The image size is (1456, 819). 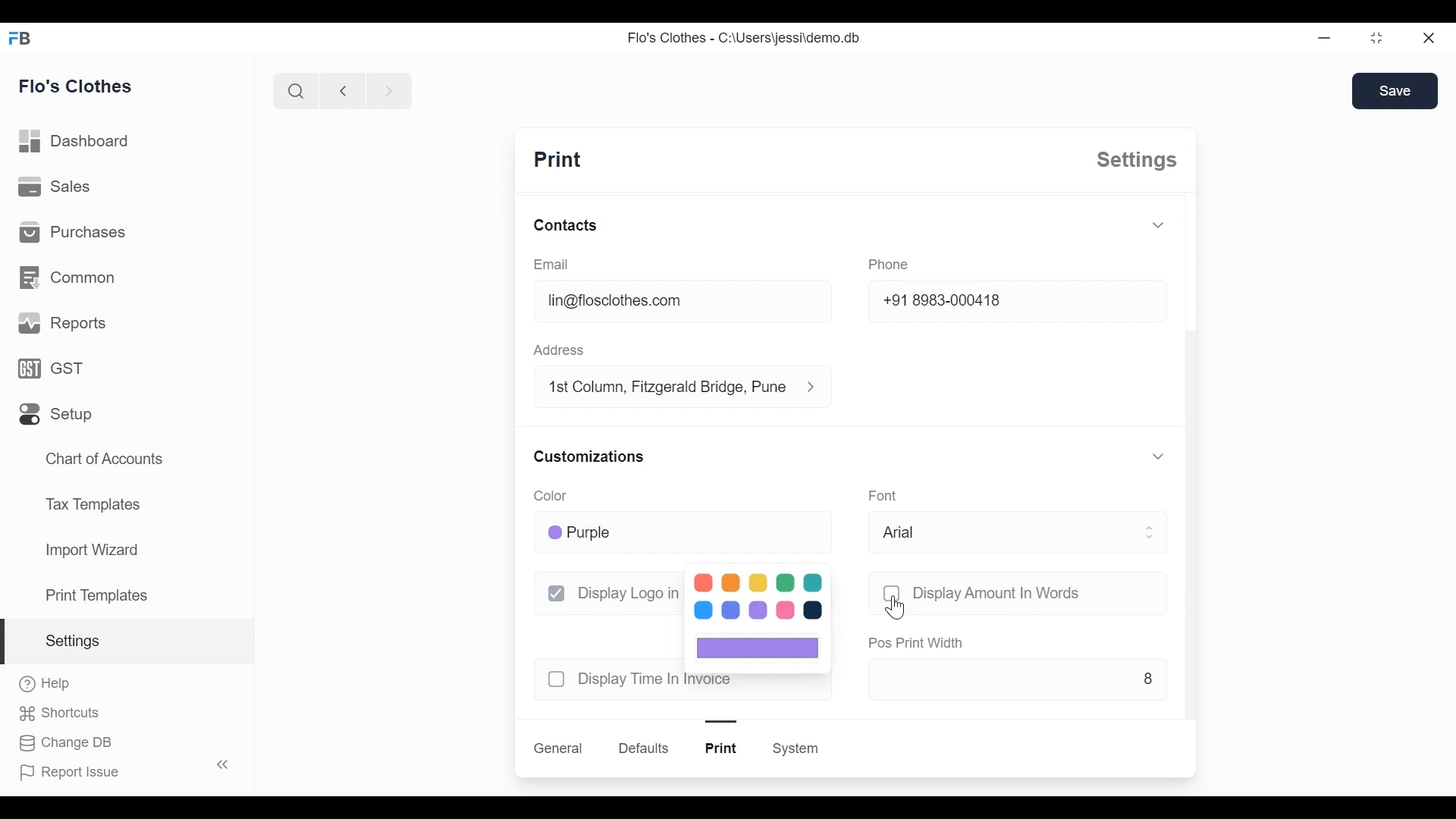 I want to click on contacts, so click(x=566, y=224).